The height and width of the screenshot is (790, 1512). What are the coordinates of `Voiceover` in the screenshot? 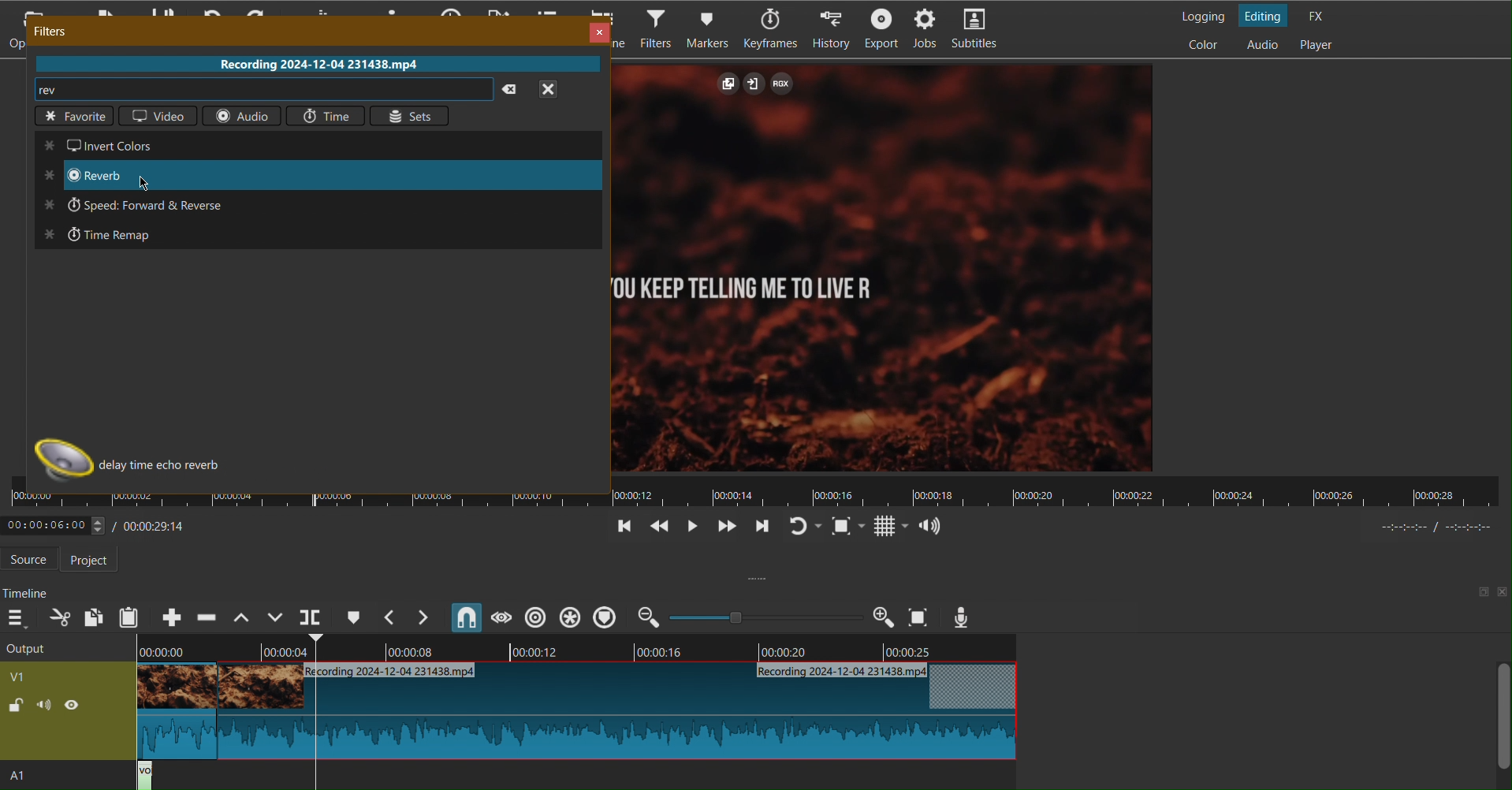 It's located at (963, 617).